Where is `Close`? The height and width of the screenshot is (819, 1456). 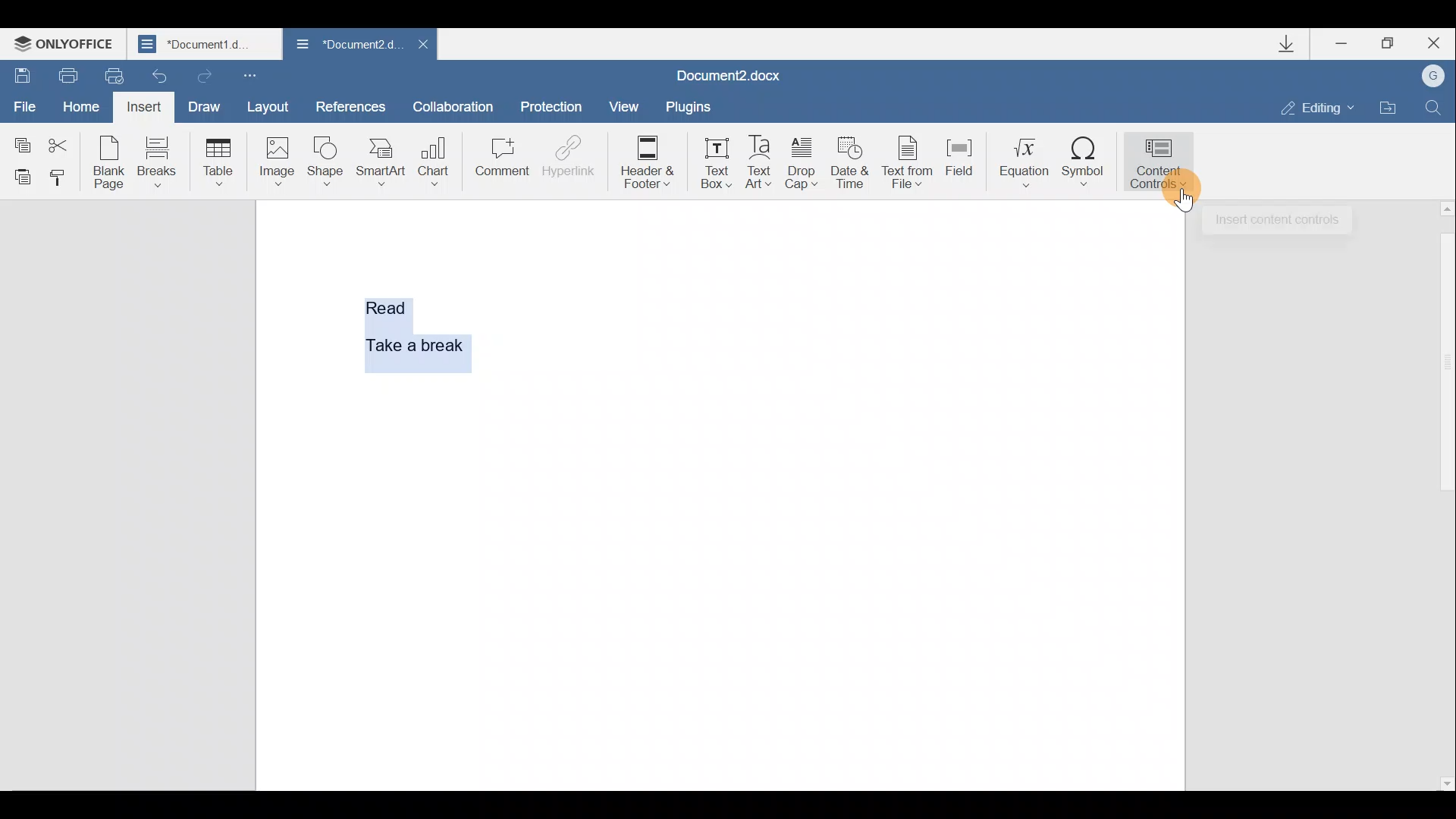
Close is located at coordinates (1439, 42).